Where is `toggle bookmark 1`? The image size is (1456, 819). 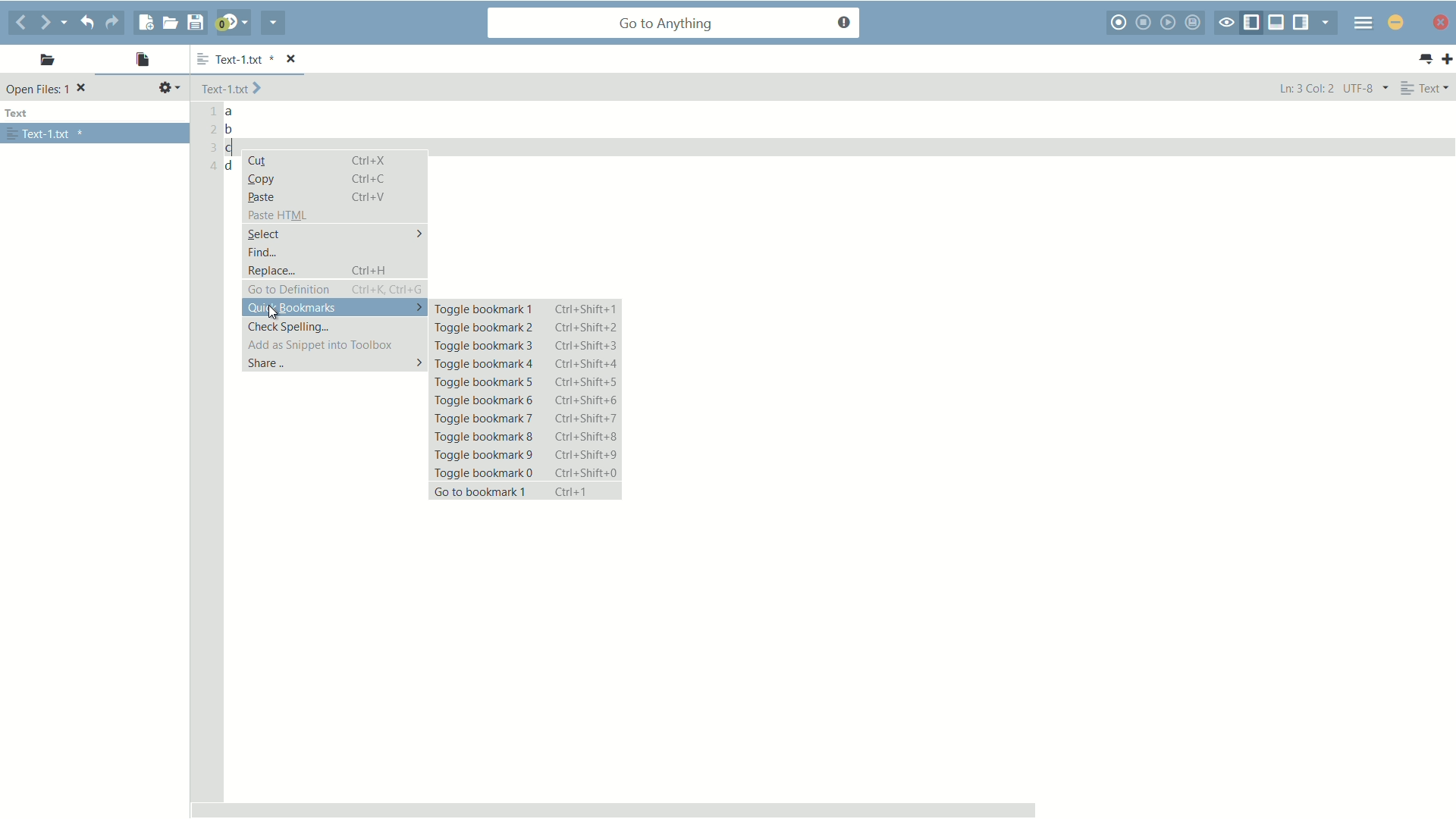 toggle bookmark 1 is located at coordinates (527, 309).